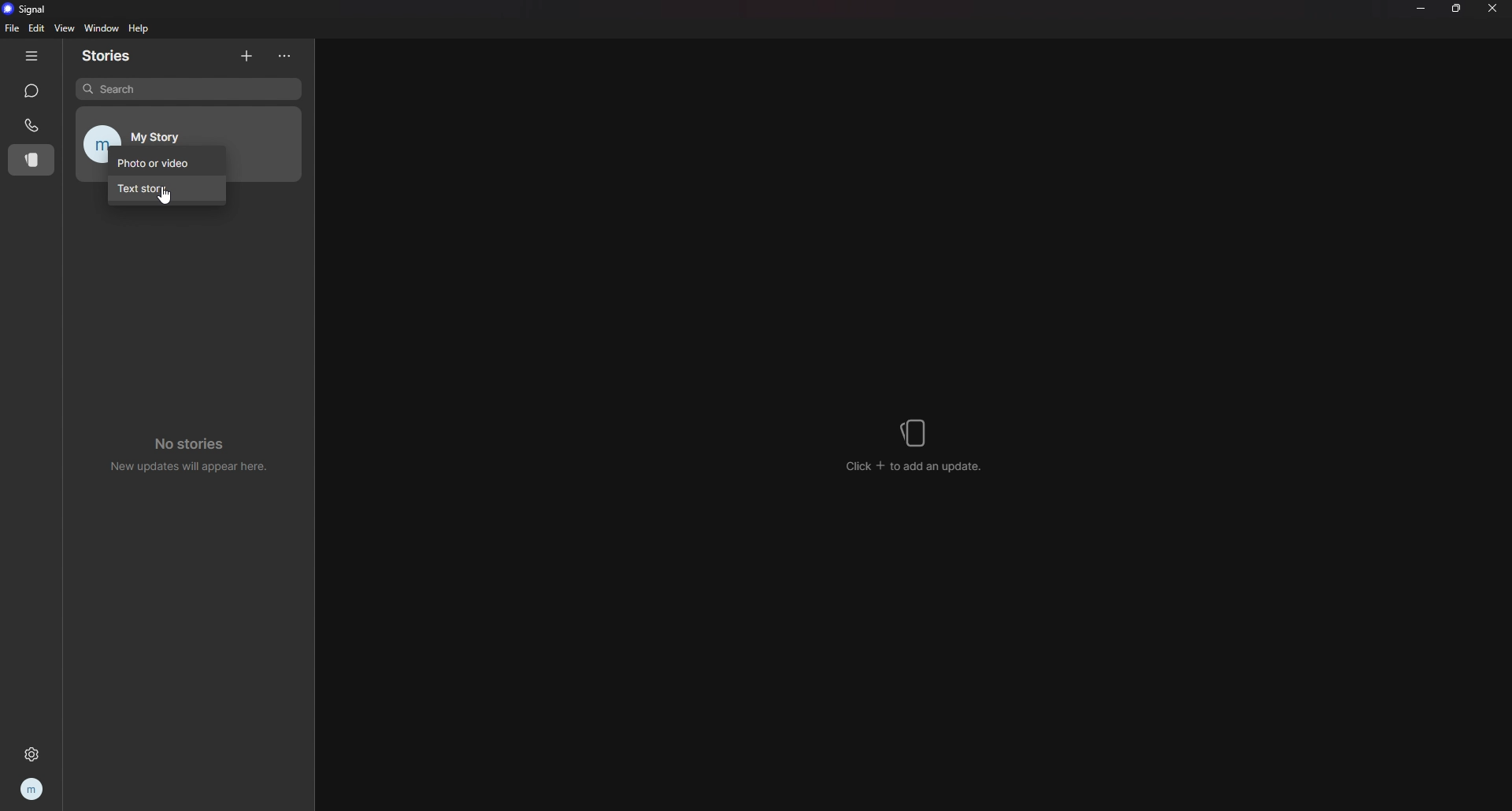 This screenshot has width=1512, height=811. I want to click on minimize, so click(1421, 8).